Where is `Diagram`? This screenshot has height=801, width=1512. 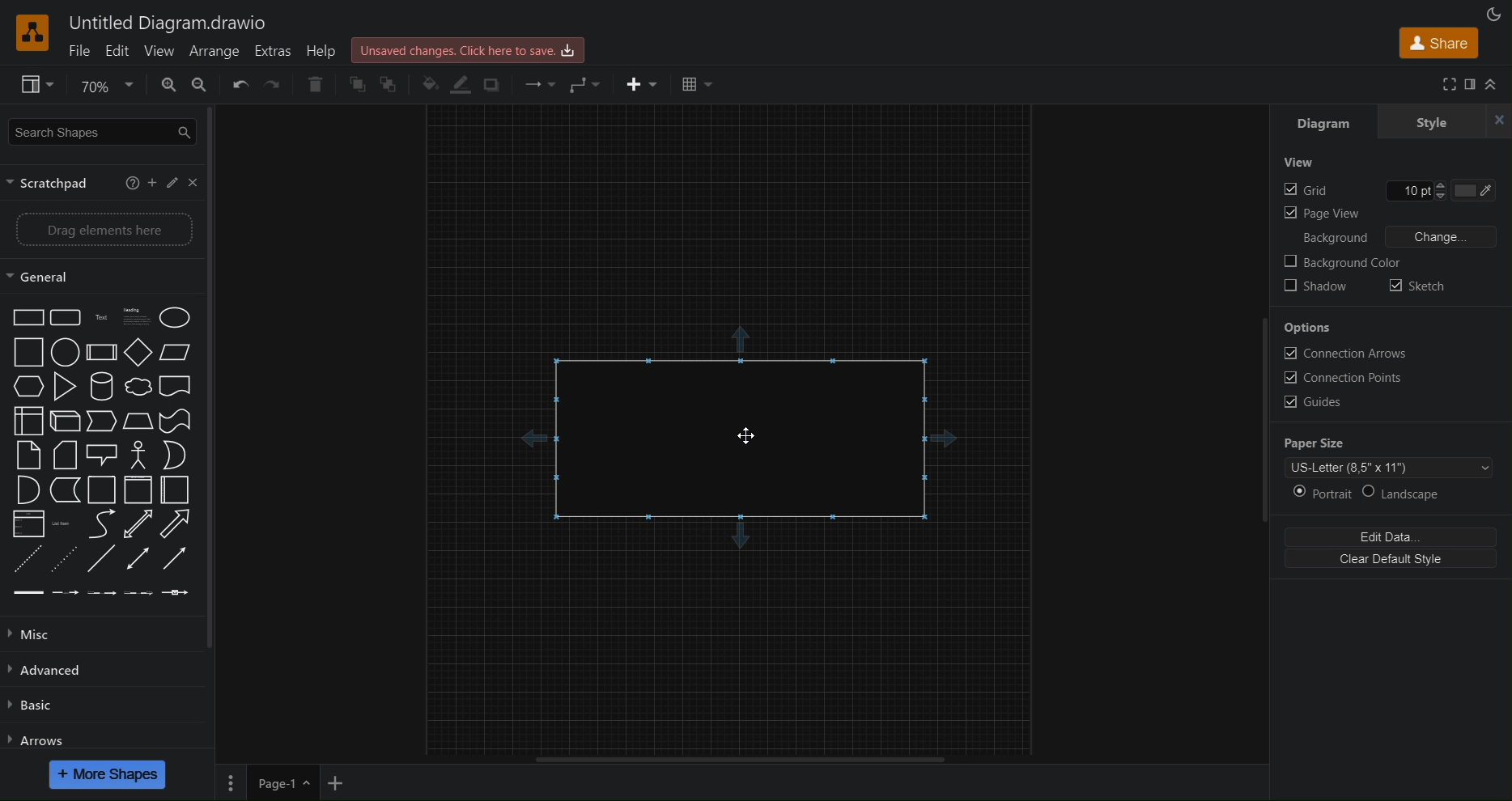
Diagram is located at coordinates (1328, 120).